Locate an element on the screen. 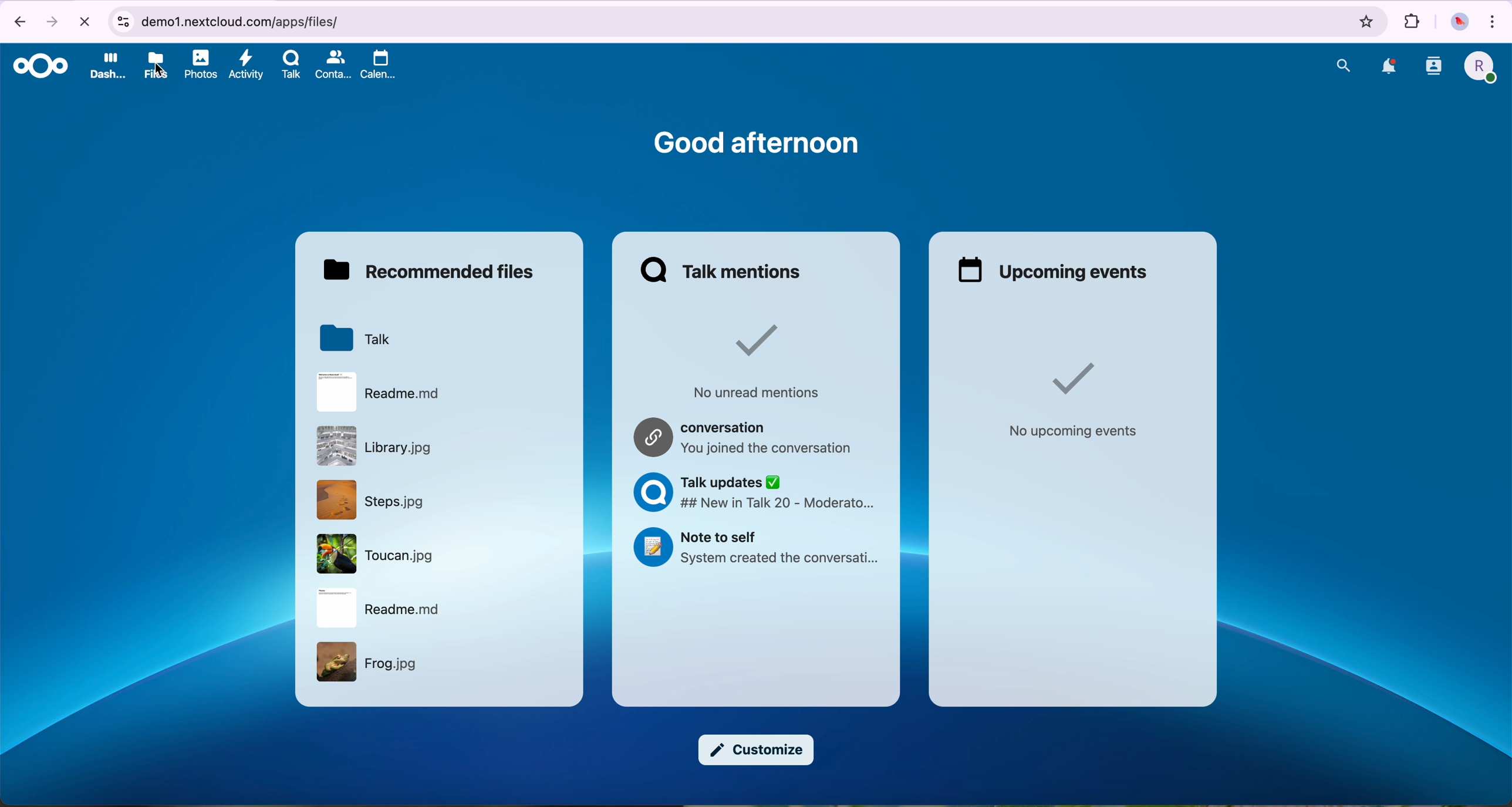 The height and width of the screenshot is (807, 1512). profile picture is located at coordinates (1458, 22).